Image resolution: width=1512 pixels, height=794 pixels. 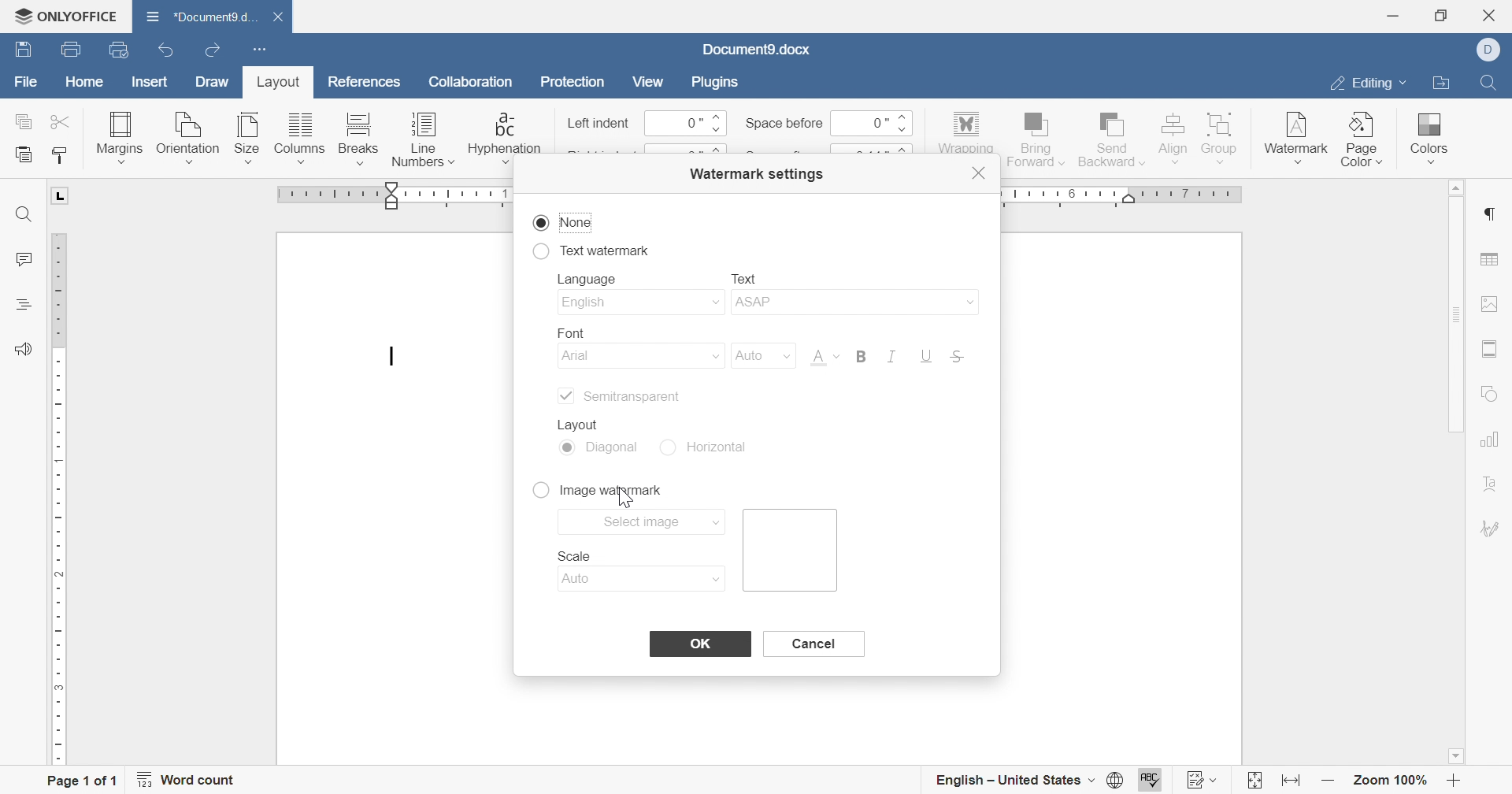 What do you see at coordinates (617, 396) in the screenshot?
I see `semitransparent` at bounding box center [617, 396].